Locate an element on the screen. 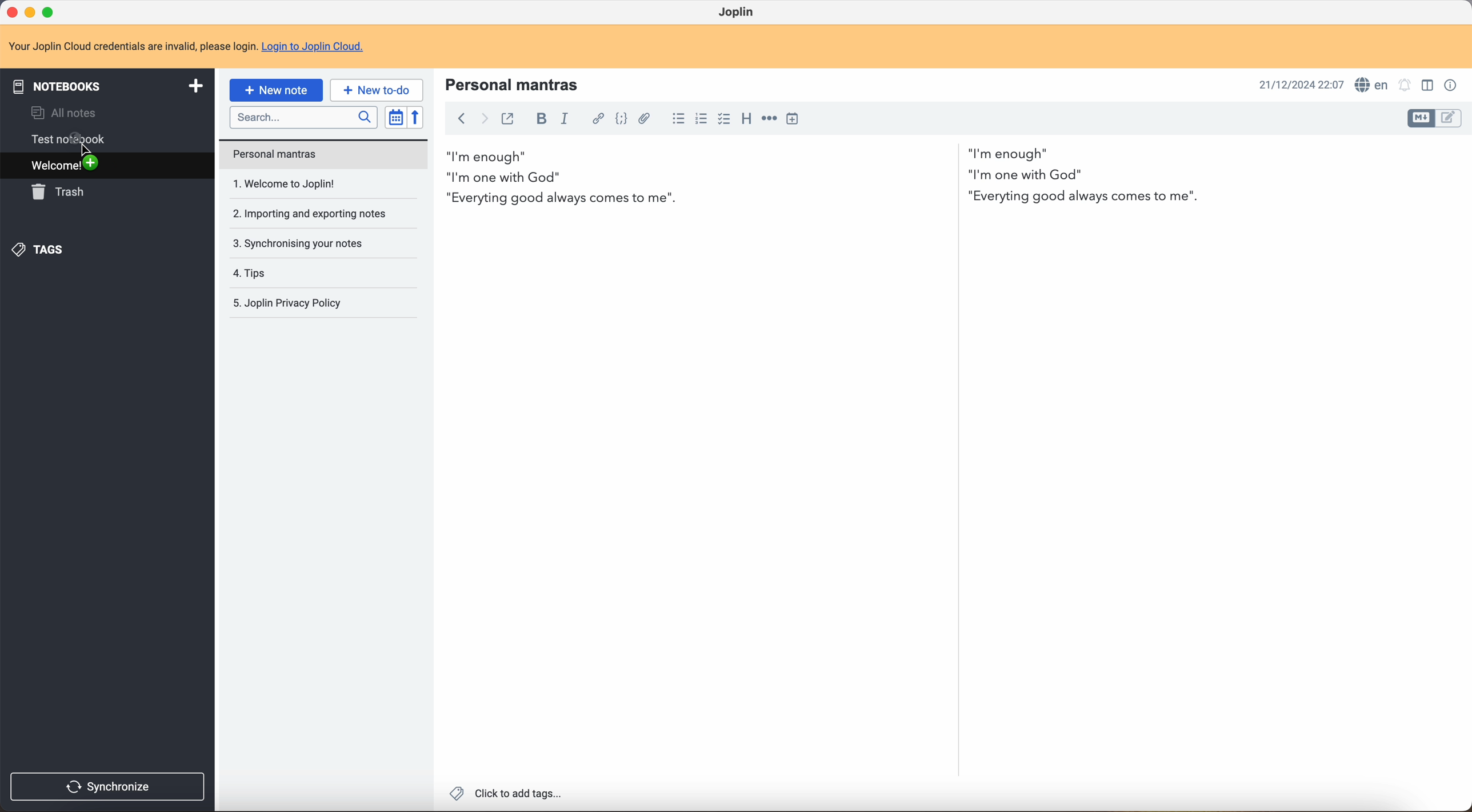 Image resolution: width=1472 pixels, height=812 pixels. synchronize is located at coordinates (107, 786).